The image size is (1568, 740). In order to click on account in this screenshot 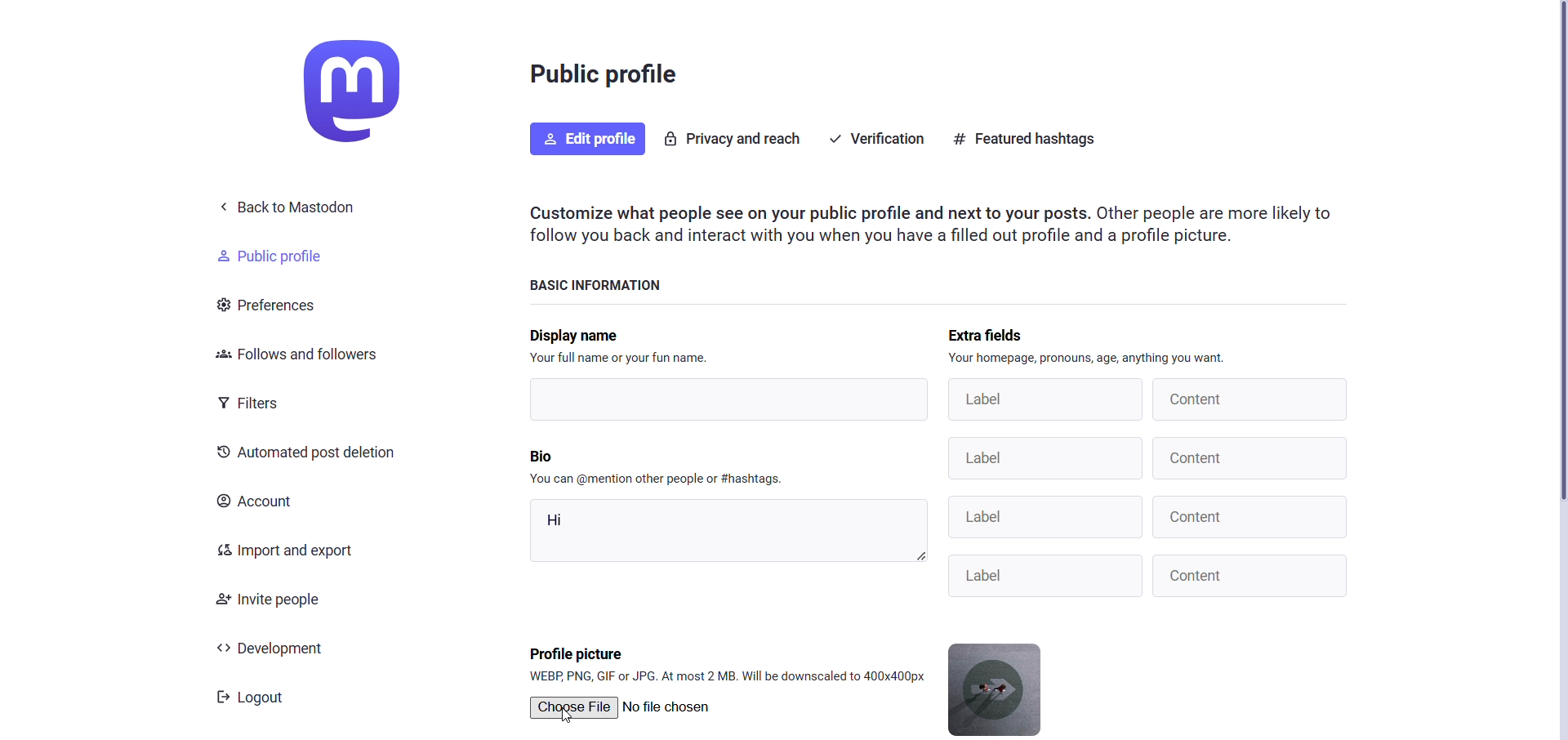, I will do `click(252, 502)`.